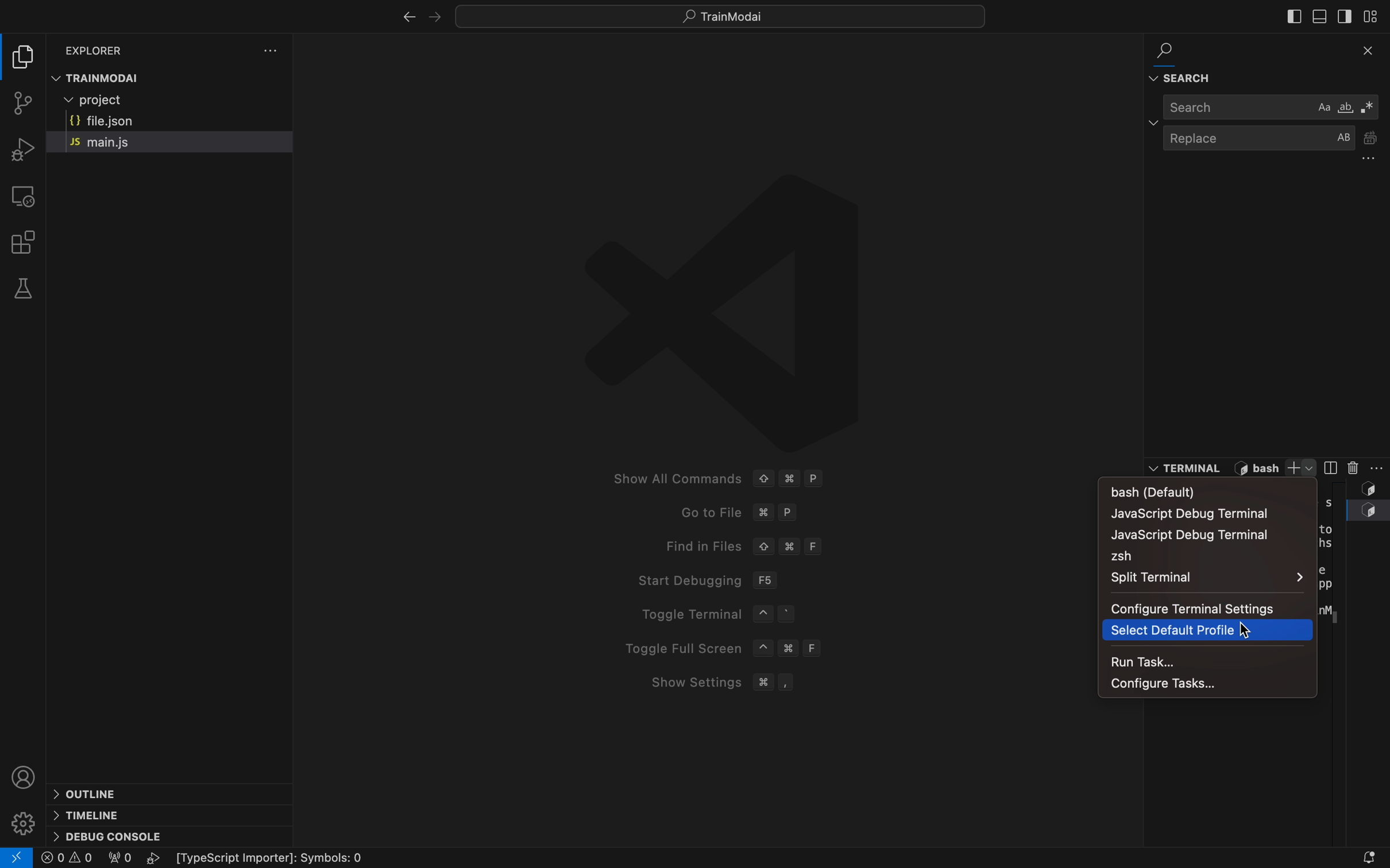 This screenshot has height=868, width=1390. I want to click on 0, so click(68, 858).